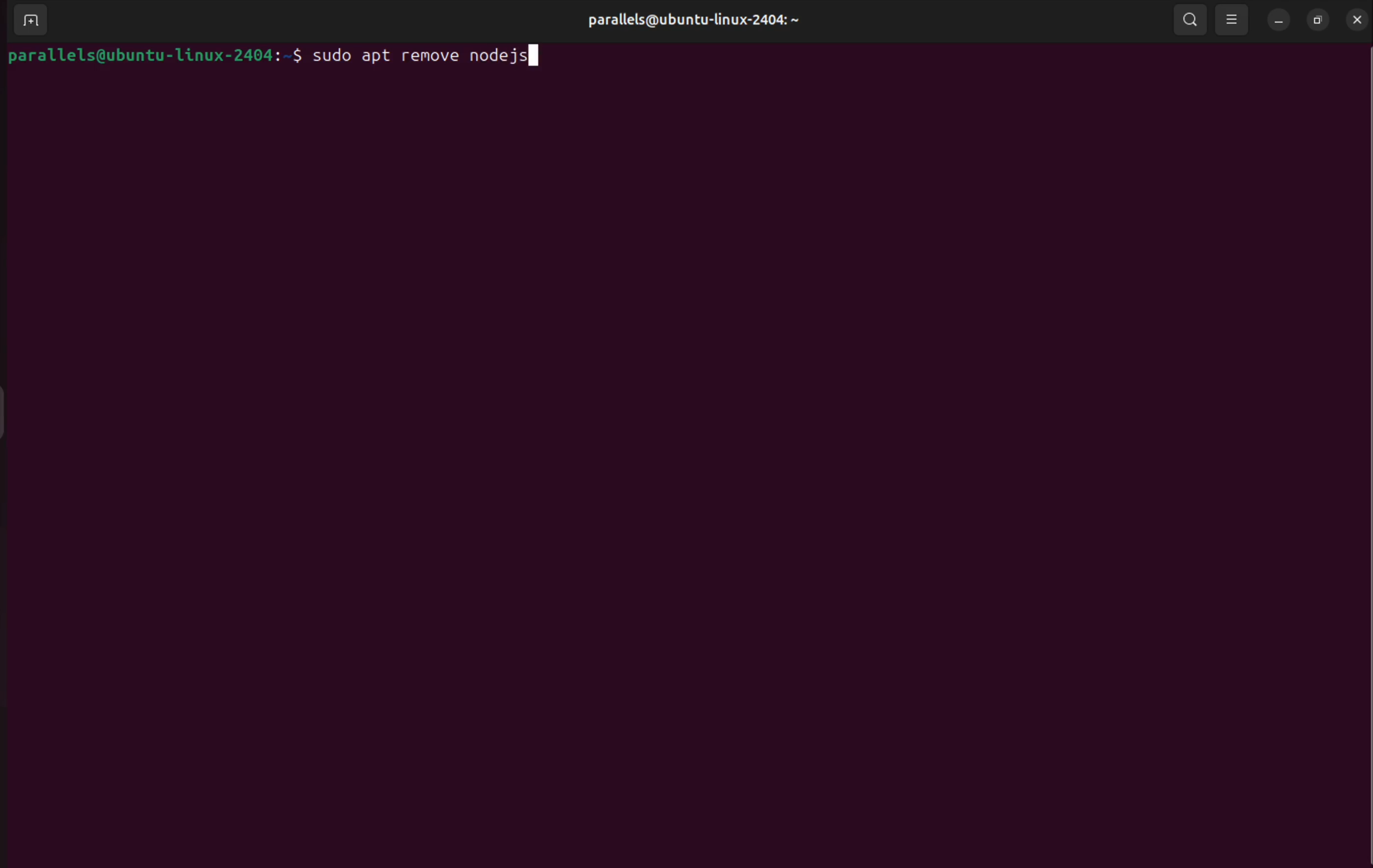 The height and width of the screenshot is (868, 1373). Describe the element at coordinates (1231, 21) in the screenshot. I see `view options` at that location.